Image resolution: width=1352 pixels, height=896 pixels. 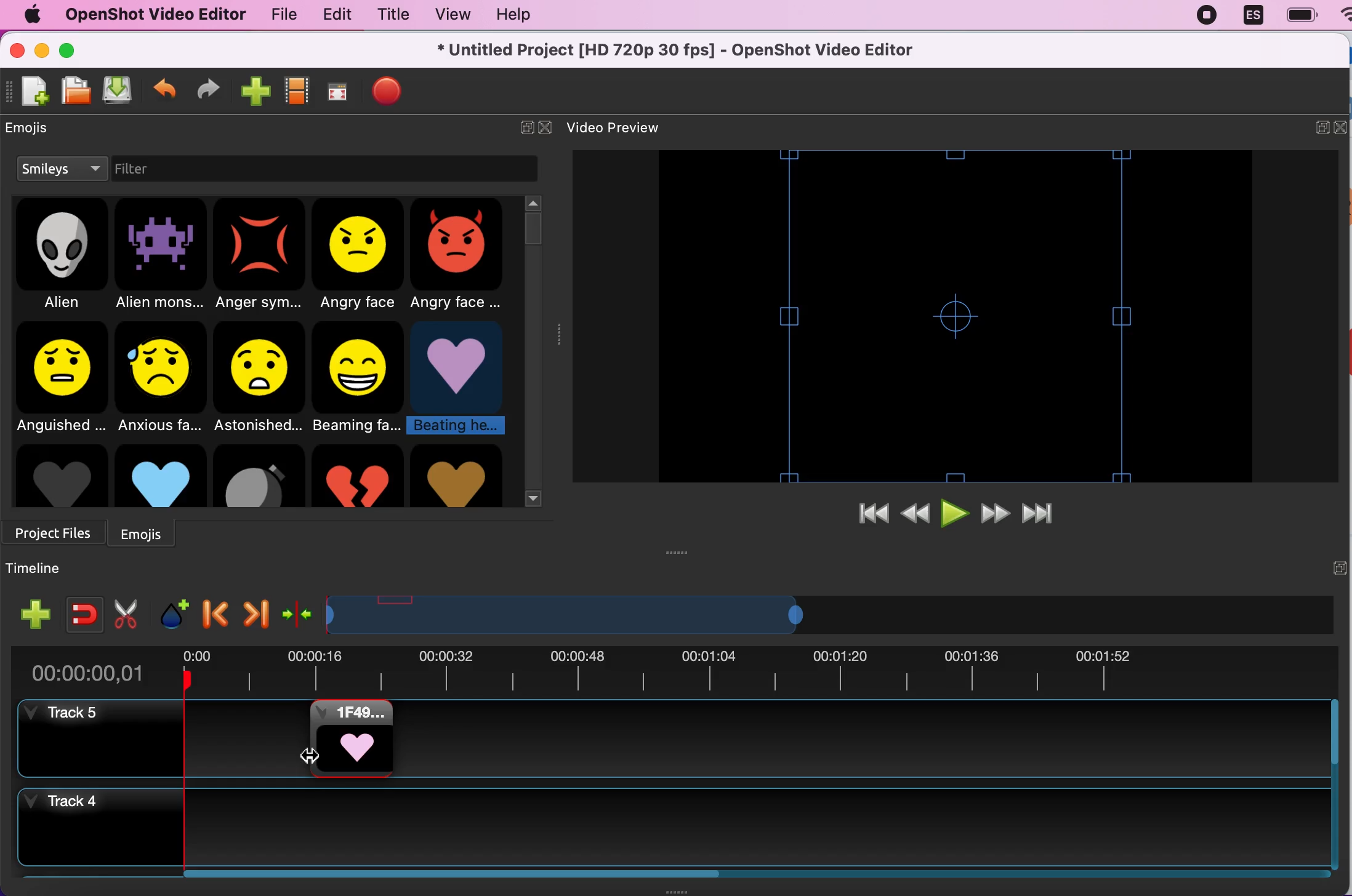 What do you see at coordinates (954, 316) in the screenshot?
I see `video preview` at bounding box center [954, 316].